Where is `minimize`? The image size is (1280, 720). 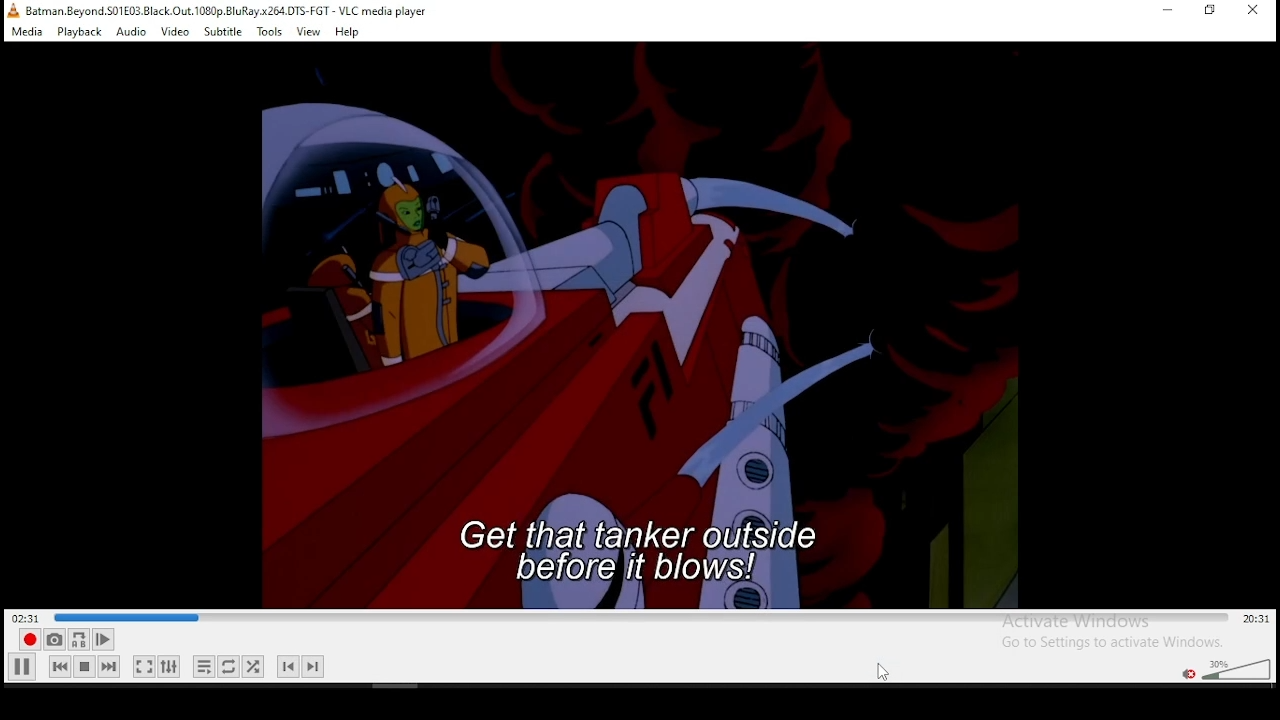 minimize is located at coordinates (1170, 10).